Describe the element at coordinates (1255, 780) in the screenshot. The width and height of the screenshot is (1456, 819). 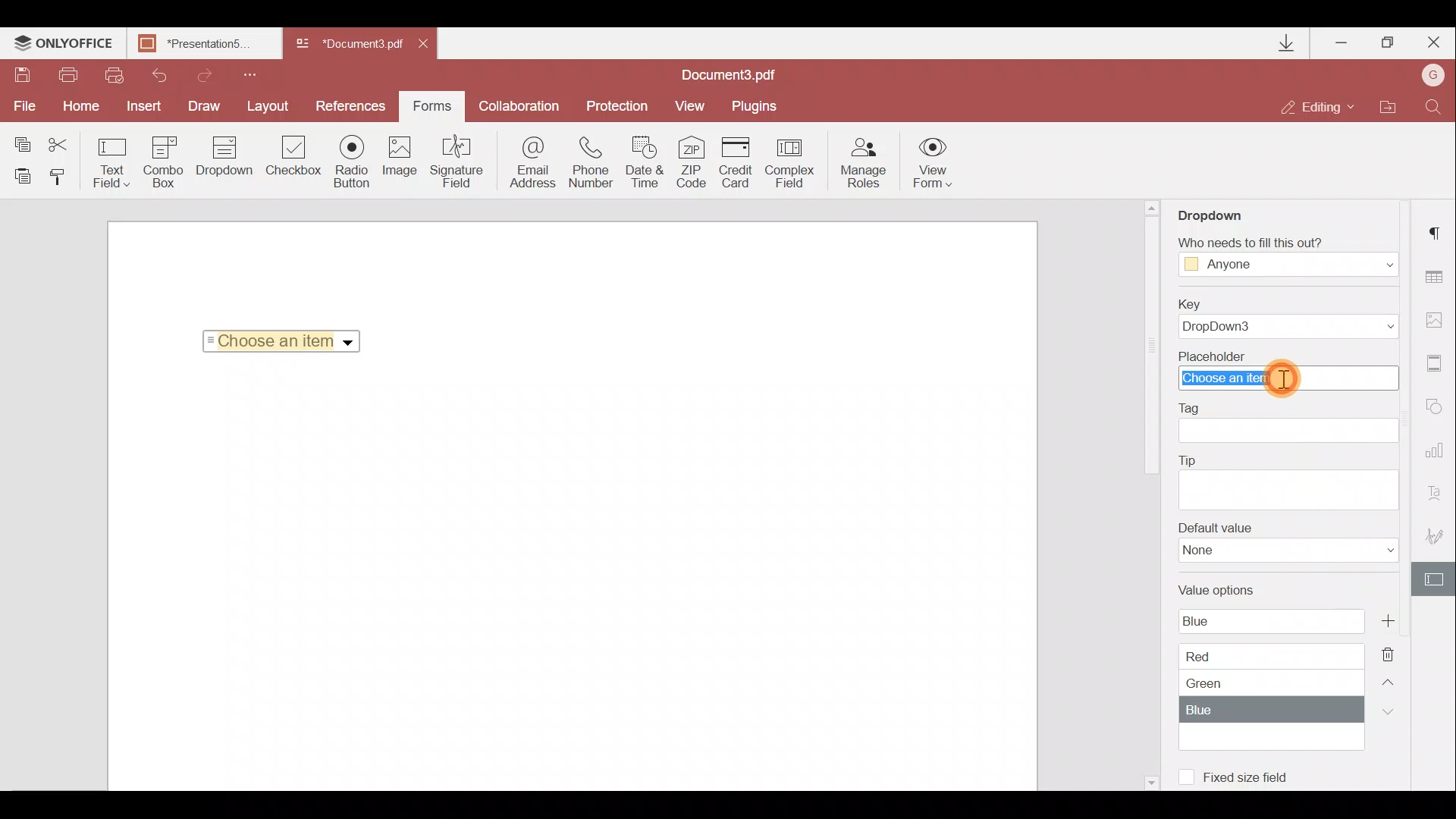
I see `Fixed size field` at that location.